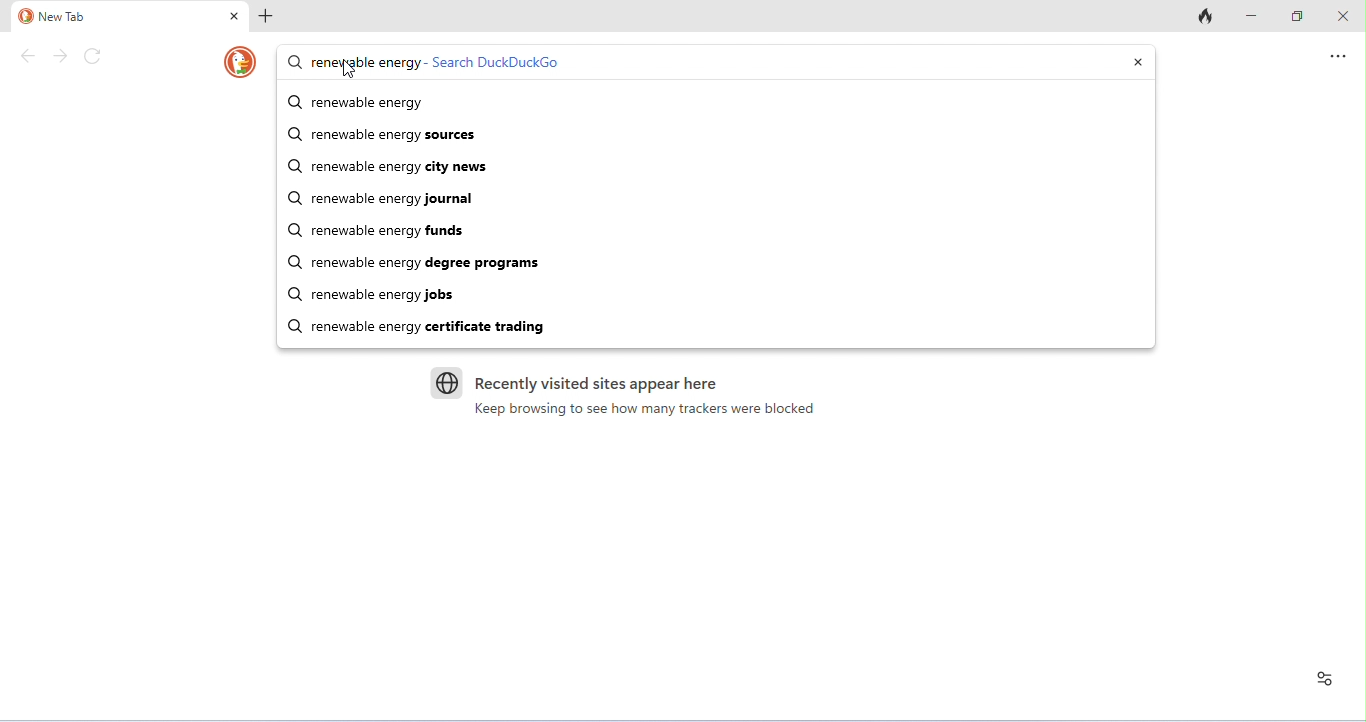 The width and height of the screenshot is (1366, 722). What do you see at coordinates (729, 135) in the screenshot?
I see `renewable energy sources` at bounding box center [729, 135].